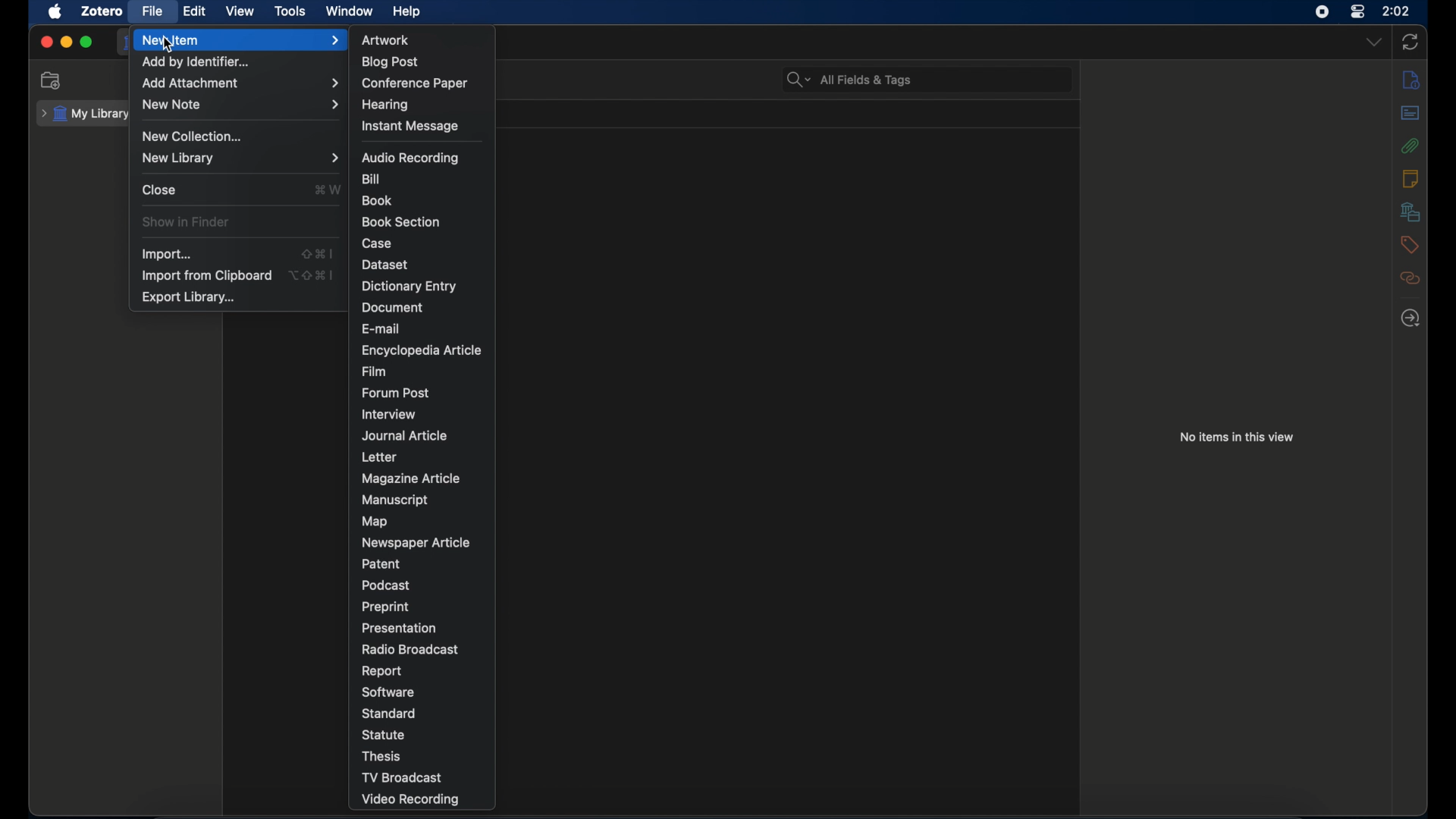 This screenshot has height=819, width=1456. I want to click on export library, so click(190, 297).